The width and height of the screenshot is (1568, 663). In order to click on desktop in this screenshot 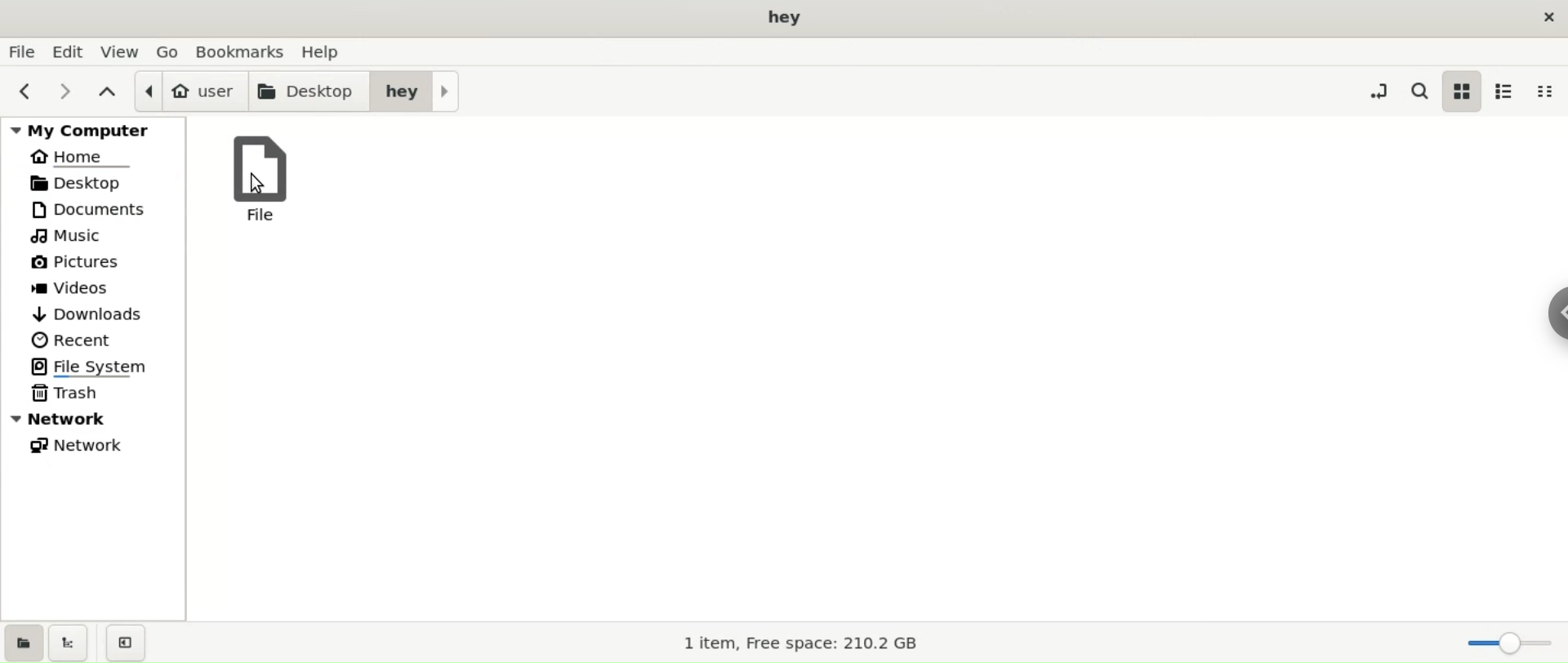, I will do `click(787, 19)`.